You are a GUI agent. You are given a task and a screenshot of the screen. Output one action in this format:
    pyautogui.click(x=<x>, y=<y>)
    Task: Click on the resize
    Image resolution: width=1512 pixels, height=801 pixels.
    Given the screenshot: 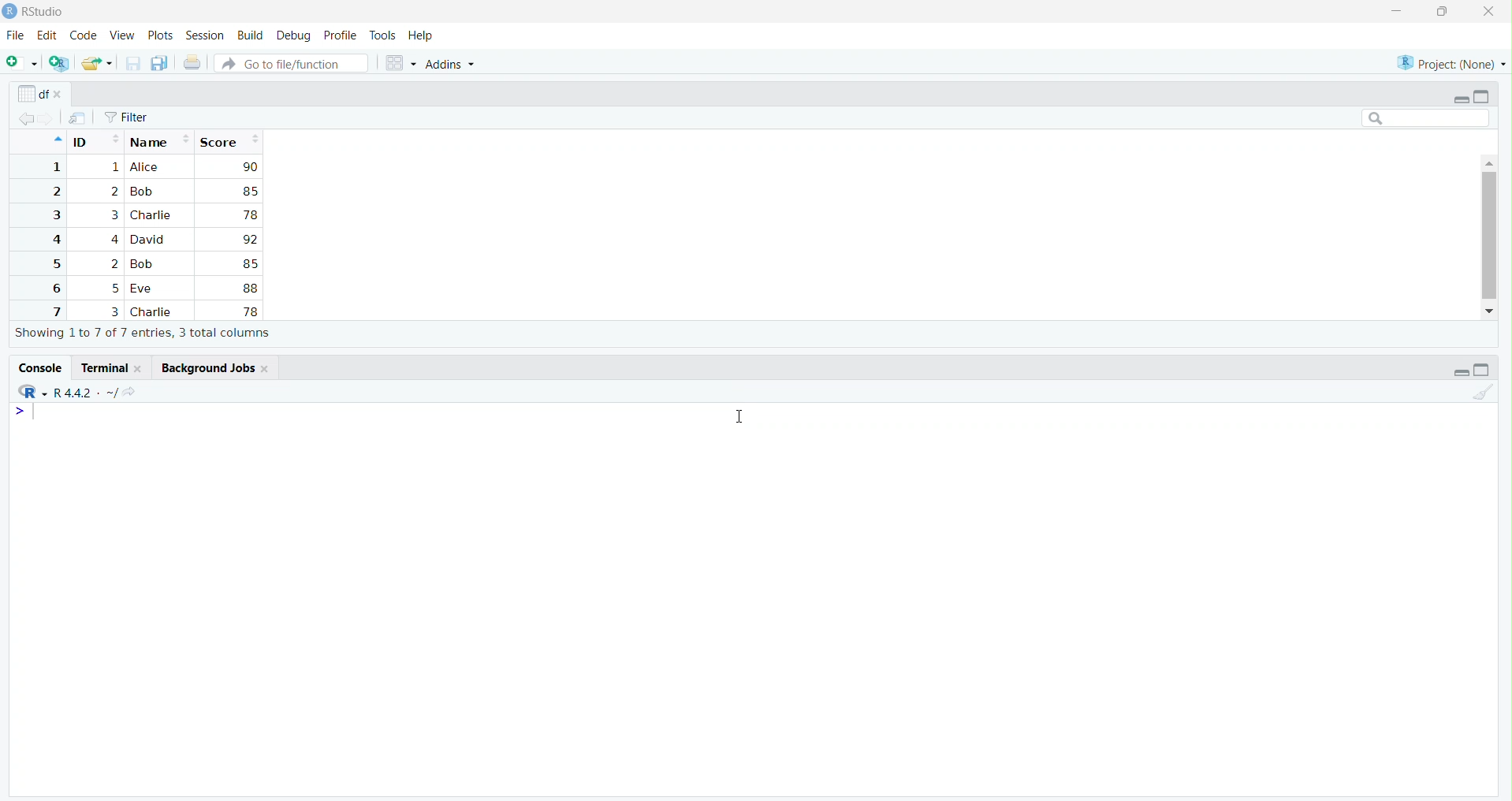 What is the action you would take?
    pyautogui.click(x=1443, y=12)
    